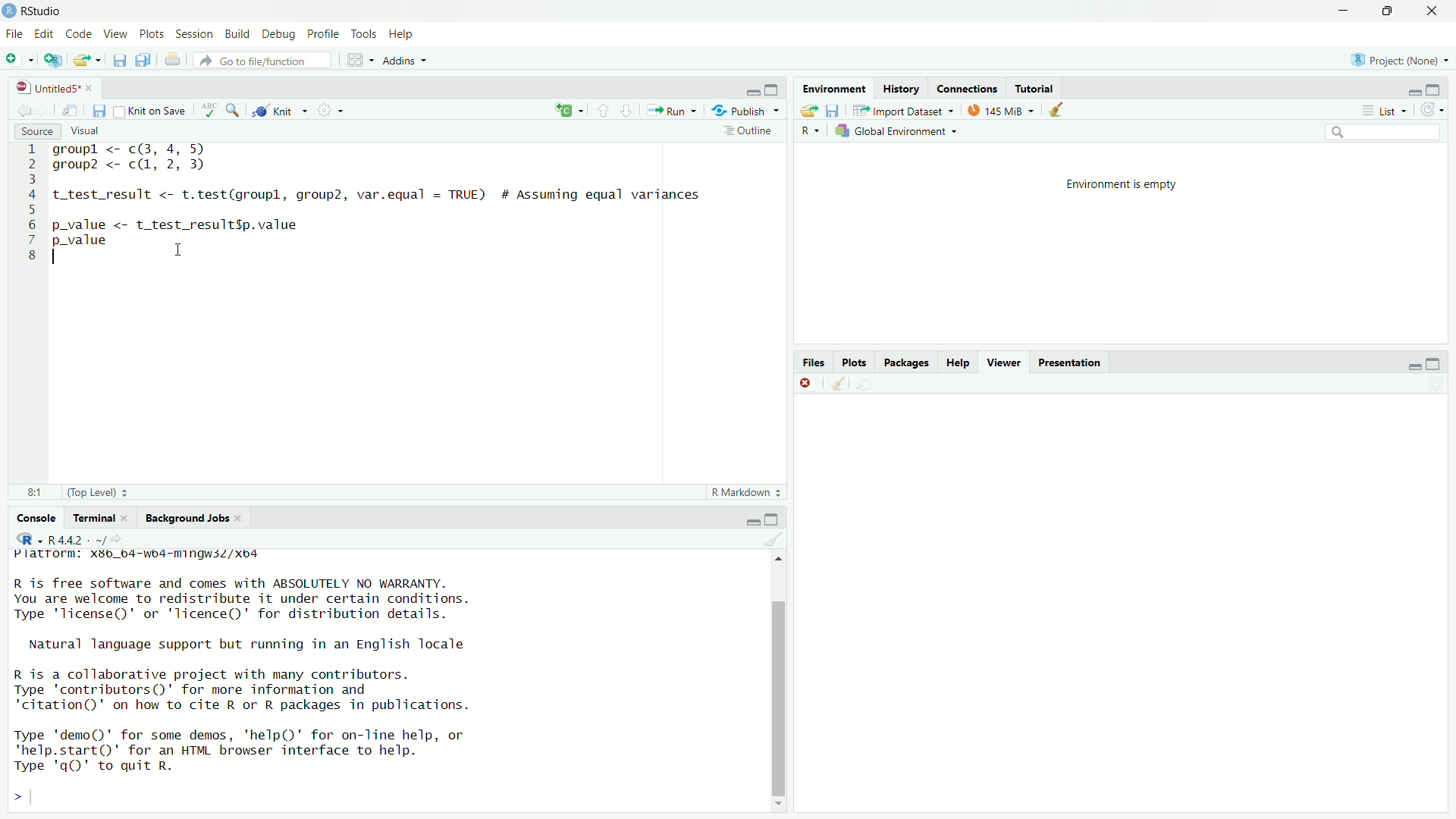 The width and height of the screenshot is (1456, 819). I want to click on Profile, so click(325, 33).